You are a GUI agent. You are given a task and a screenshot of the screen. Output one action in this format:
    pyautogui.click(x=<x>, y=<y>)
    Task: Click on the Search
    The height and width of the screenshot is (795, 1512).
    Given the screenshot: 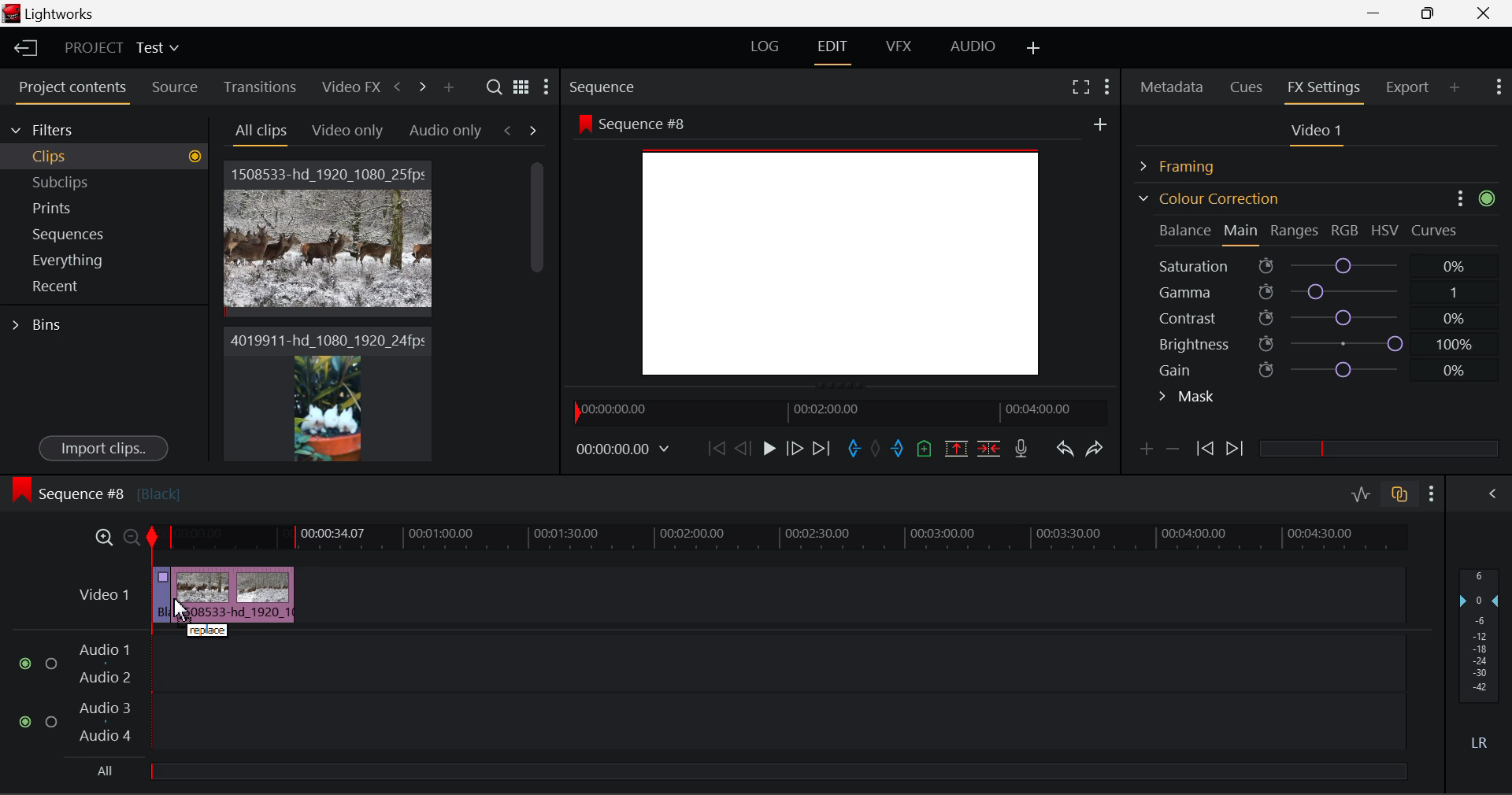 What is the action you would take?
    pyautogui.click(x=496, y=87)
    